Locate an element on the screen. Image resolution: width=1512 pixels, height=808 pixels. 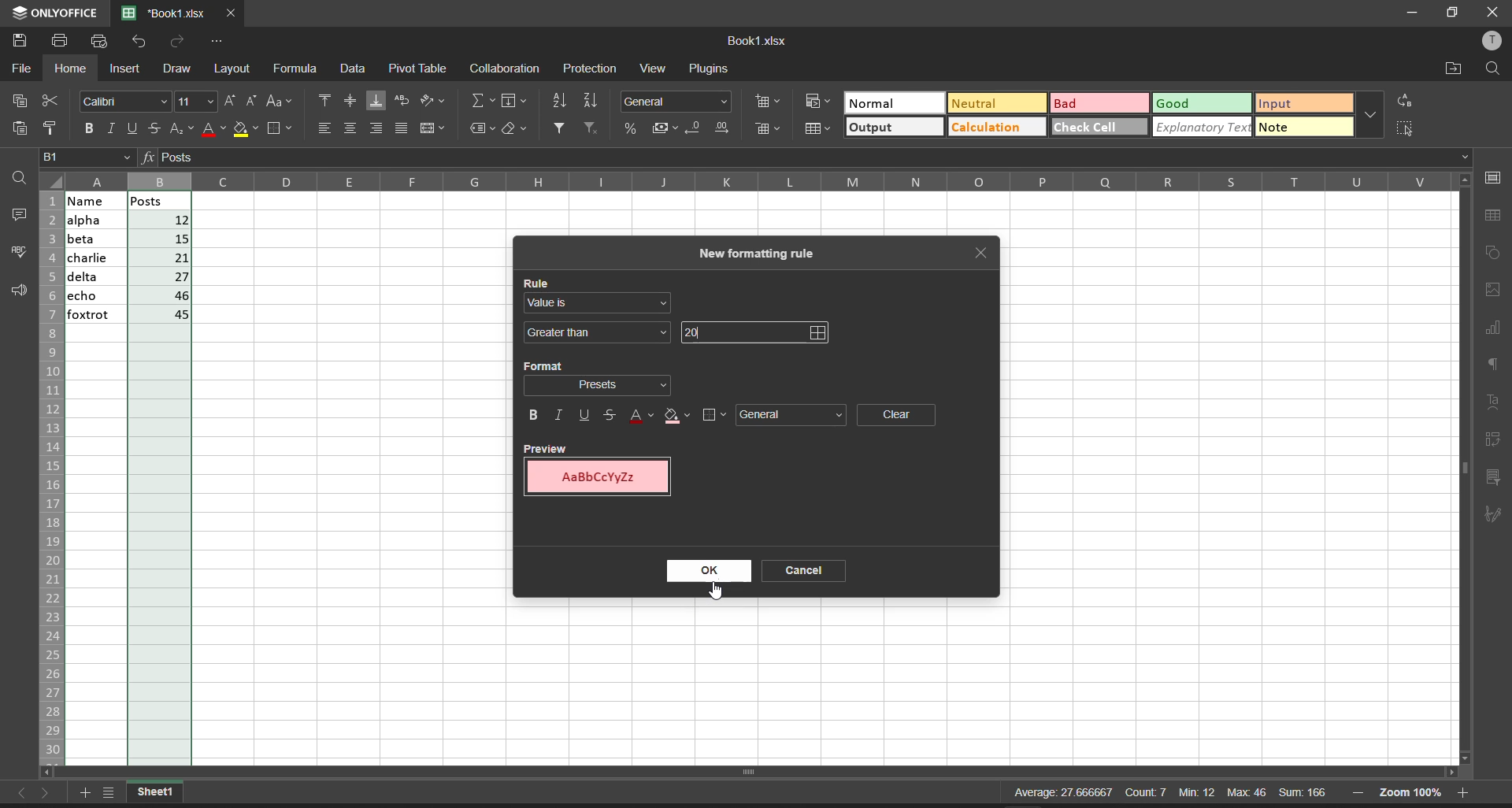
comments is located at coordinates (19, 218).